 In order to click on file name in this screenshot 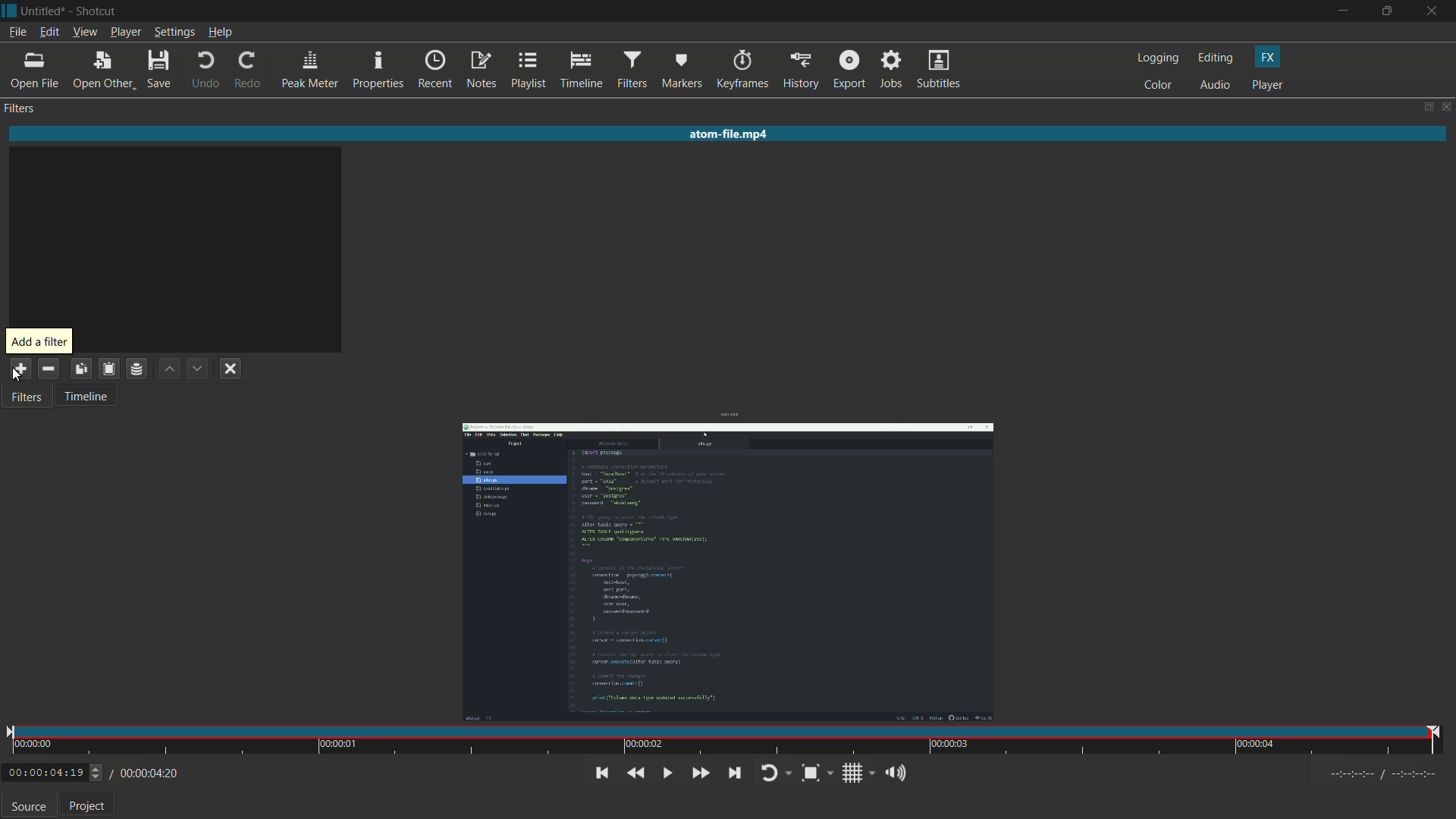, I will do `click(40, 12)`.